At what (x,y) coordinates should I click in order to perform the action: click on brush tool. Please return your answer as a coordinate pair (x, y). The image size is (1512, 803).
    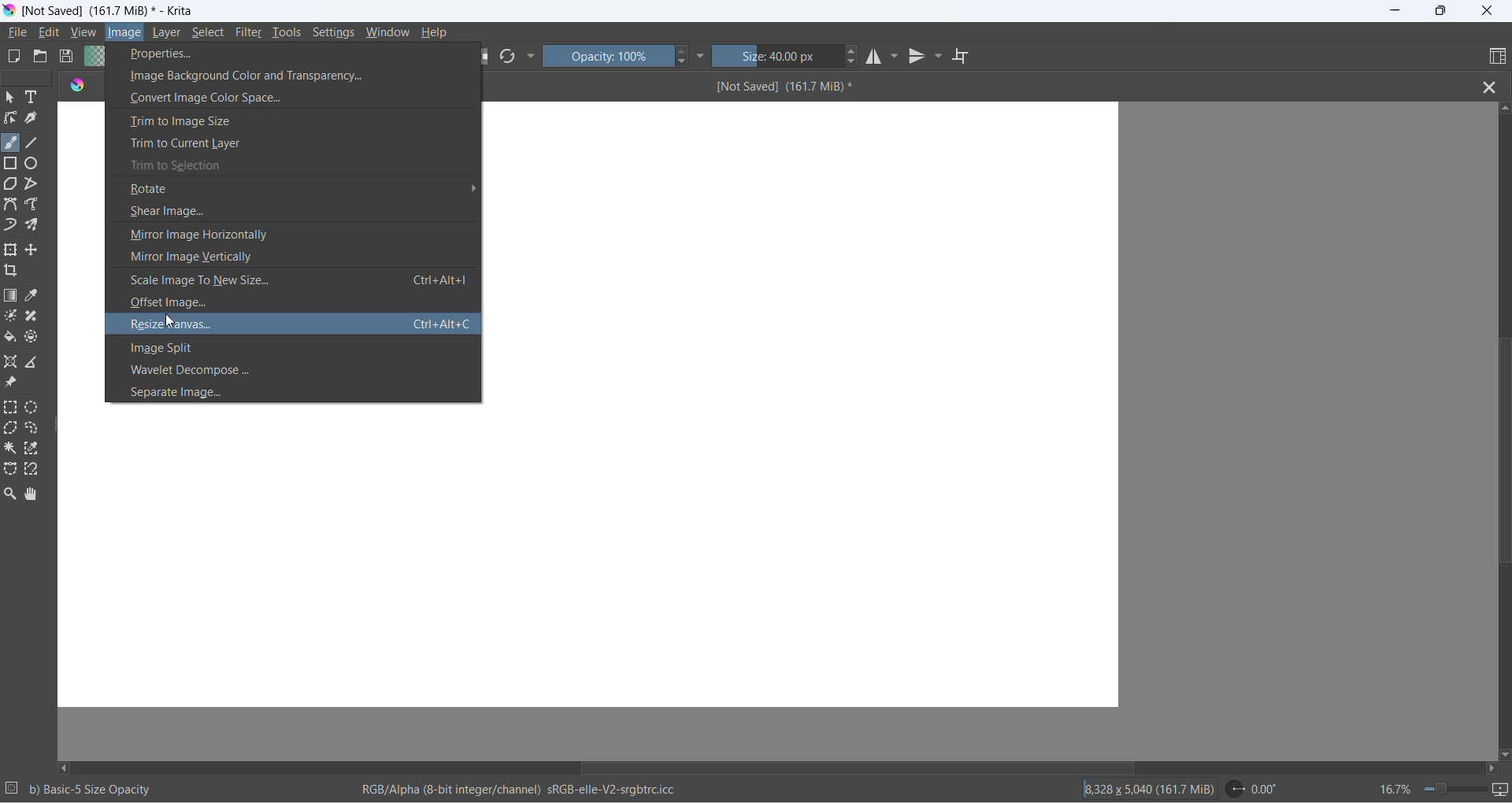
    Looking at the image, I should click on (12, 142).